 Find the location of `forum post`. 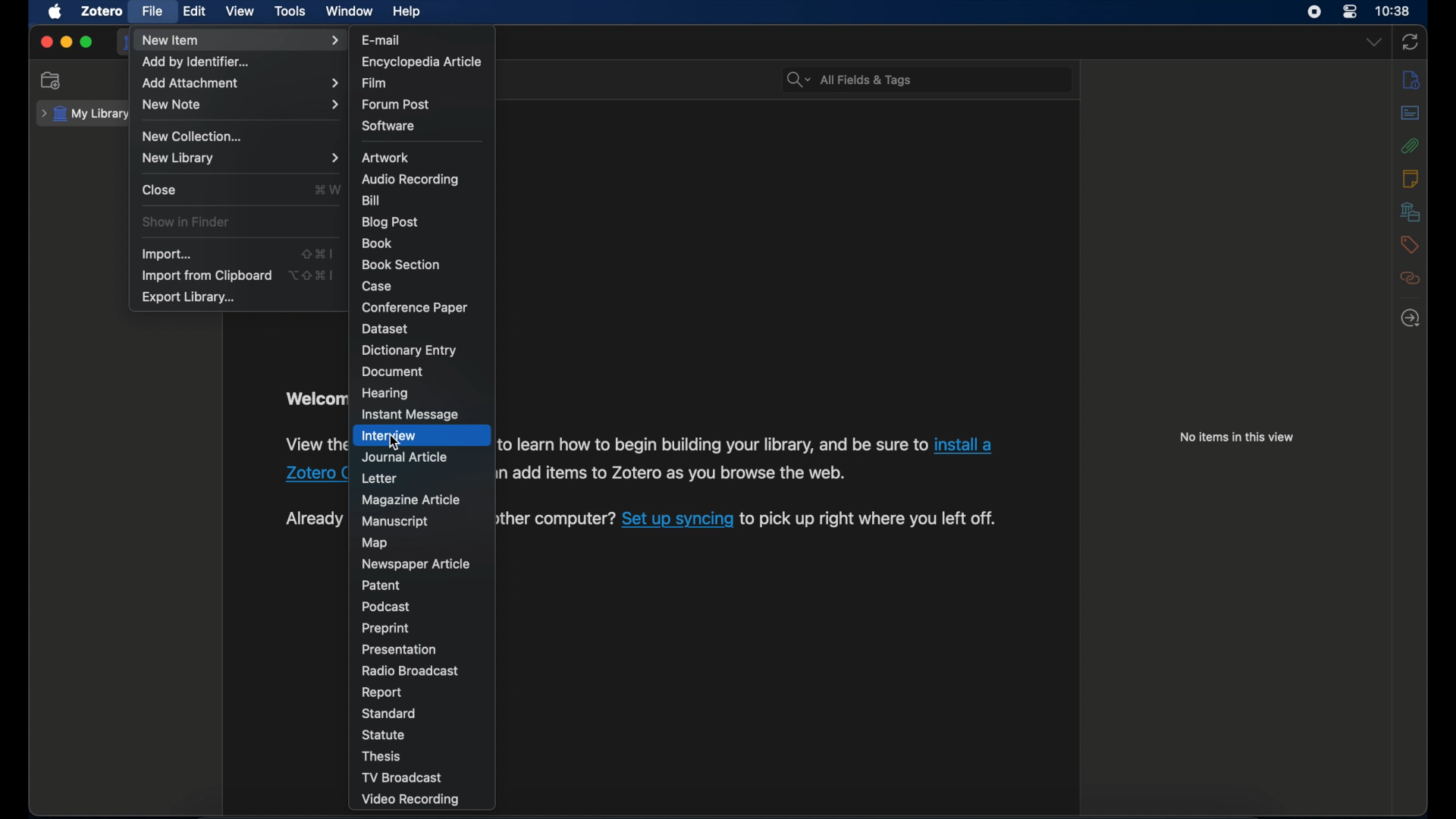

forum post is located at coordinates (396, 104).